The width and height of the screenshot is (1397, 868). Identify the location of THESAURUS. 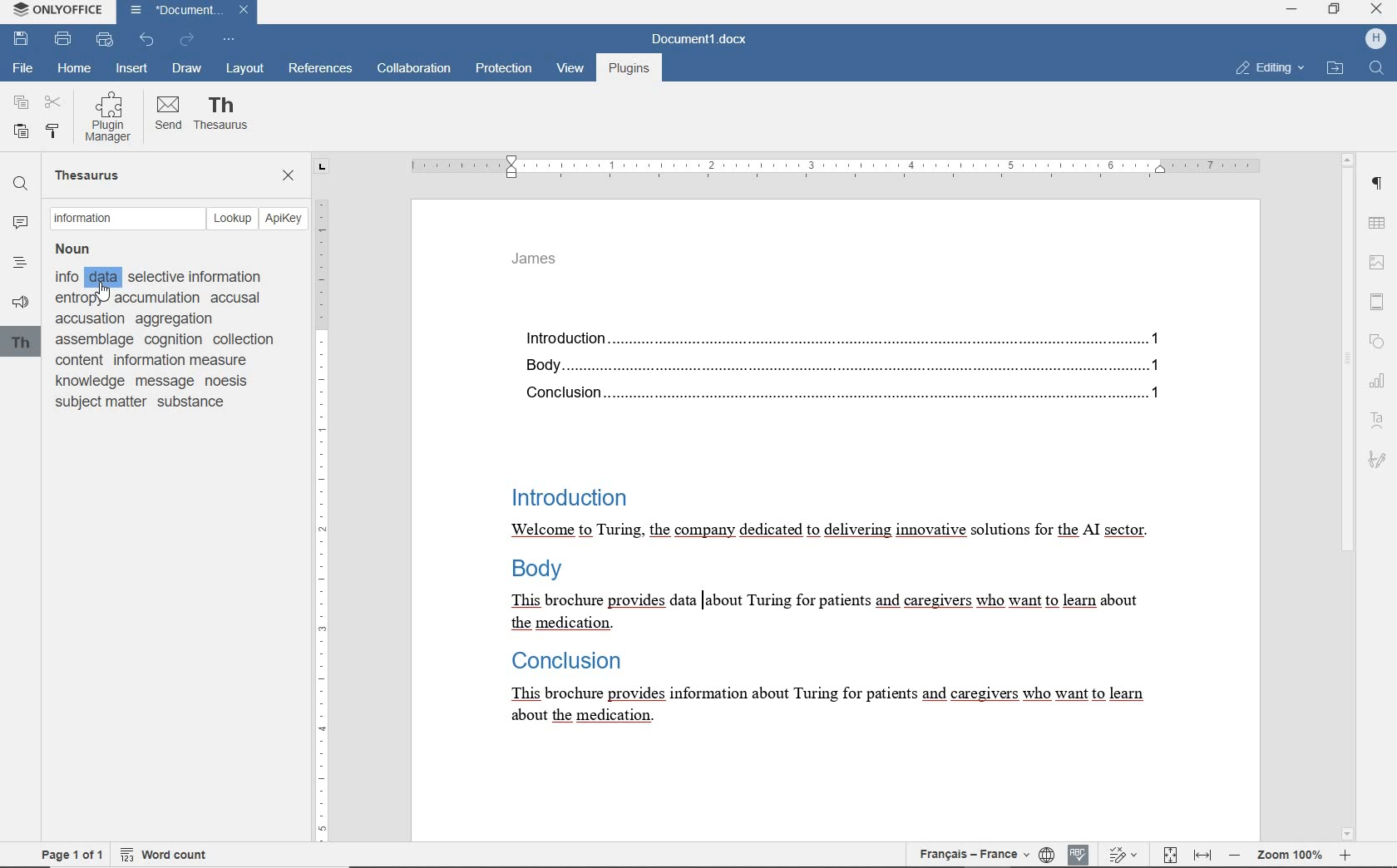
(222, 117).